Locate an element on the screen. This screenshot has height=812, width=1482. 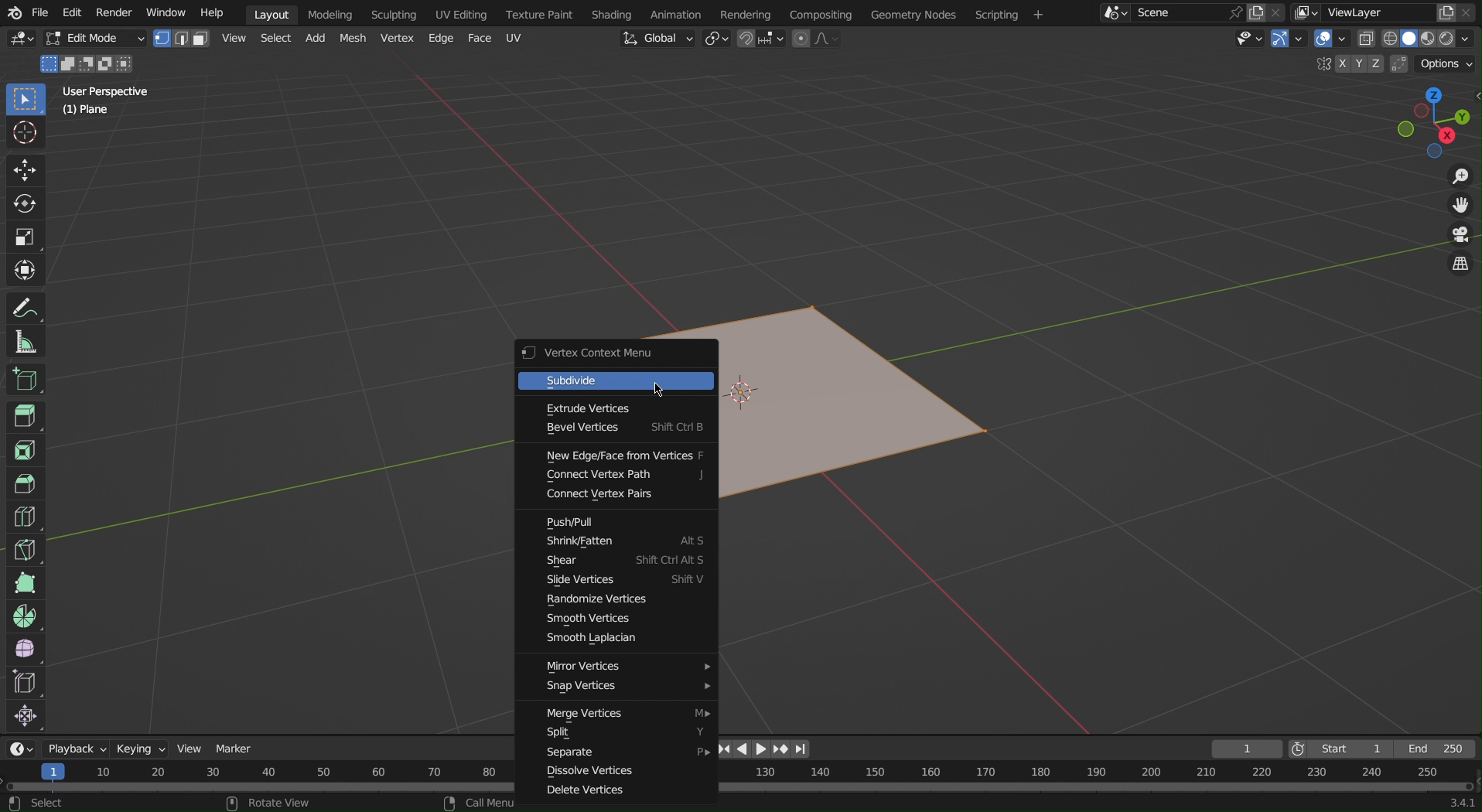
Scripting is located at coordinates (1008, 13).